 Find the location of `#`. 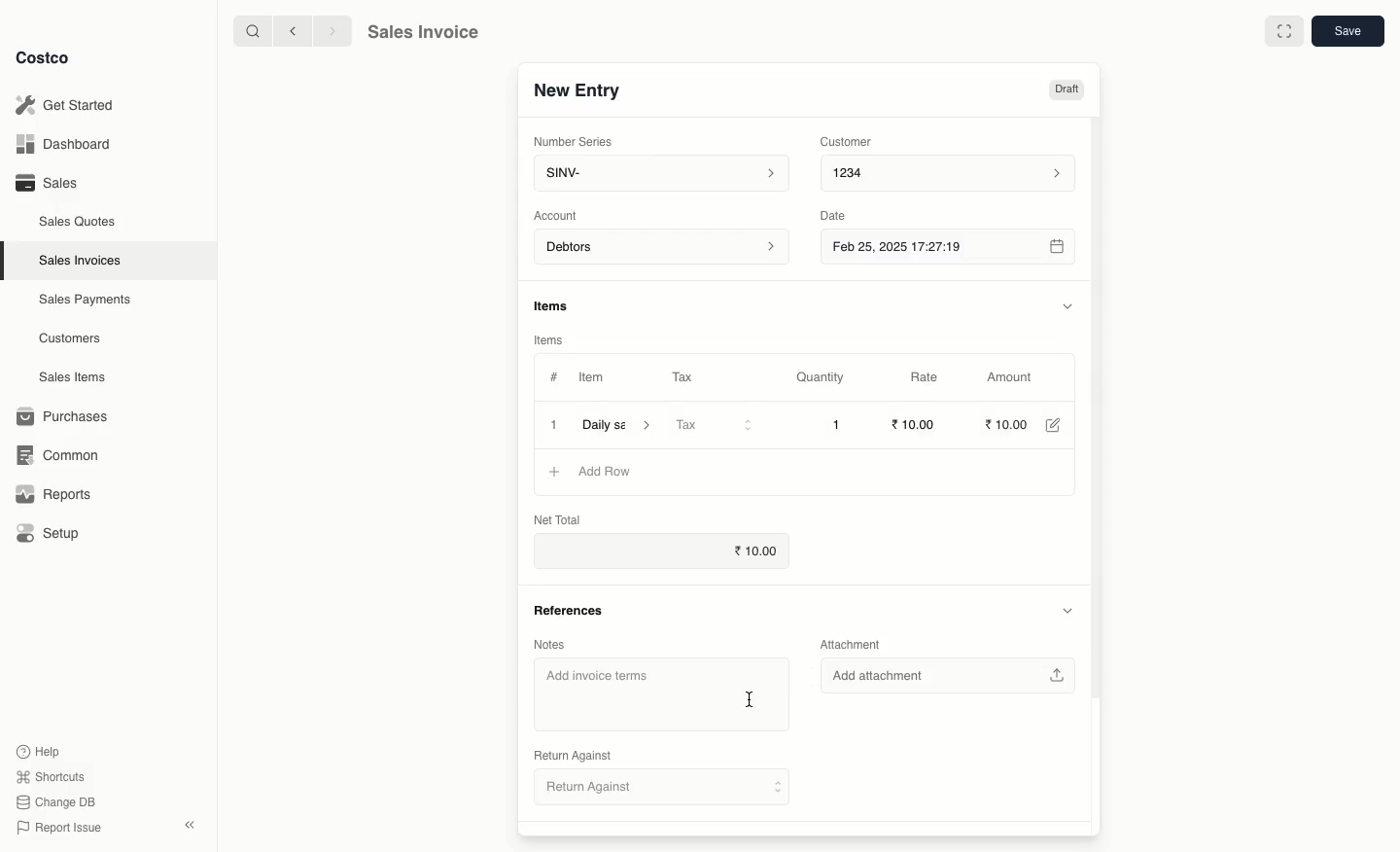

# is located at coordinates (554, 377).